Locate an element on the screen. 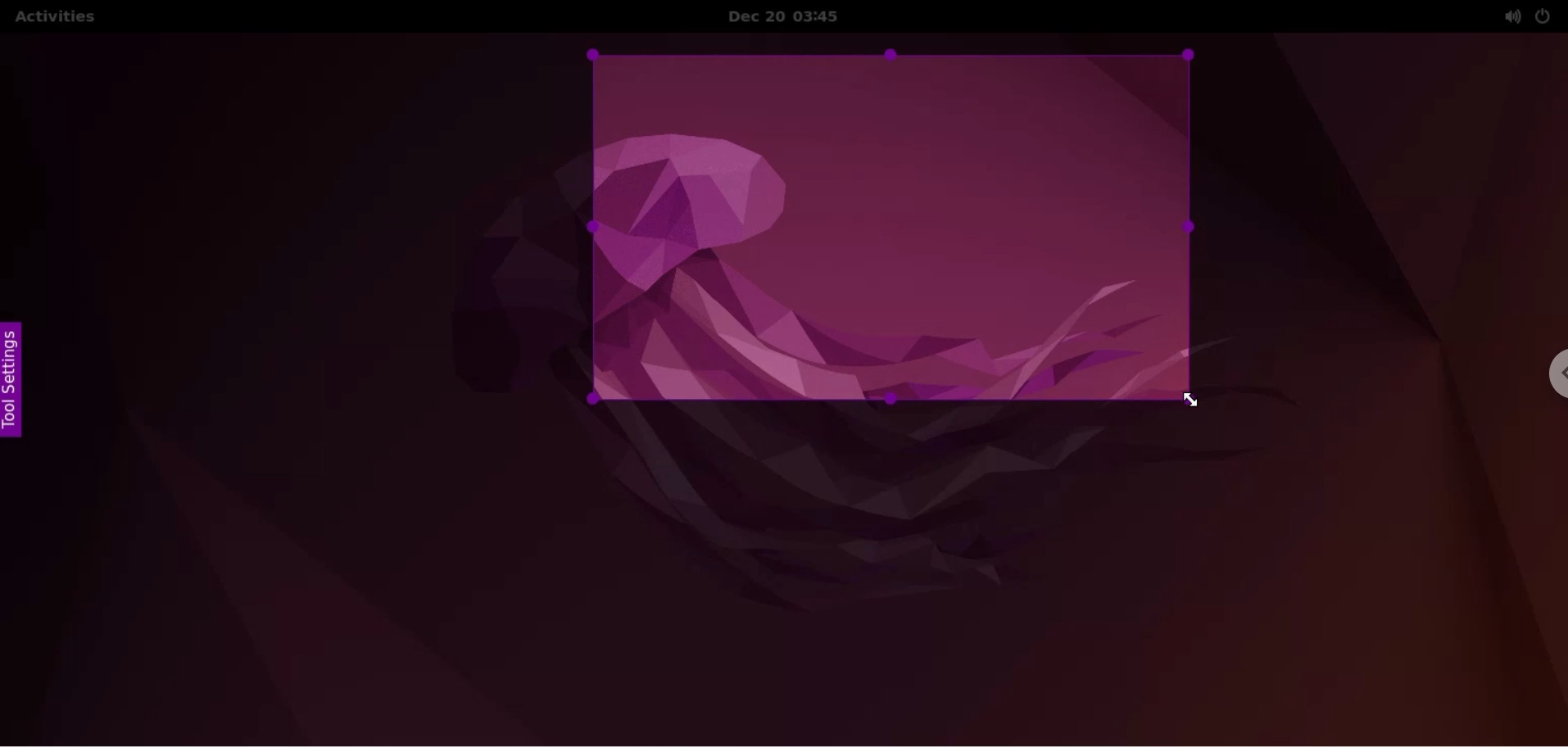 This screenshot has height=747, width=1568. tool settings is located at coordinates (18, 380).